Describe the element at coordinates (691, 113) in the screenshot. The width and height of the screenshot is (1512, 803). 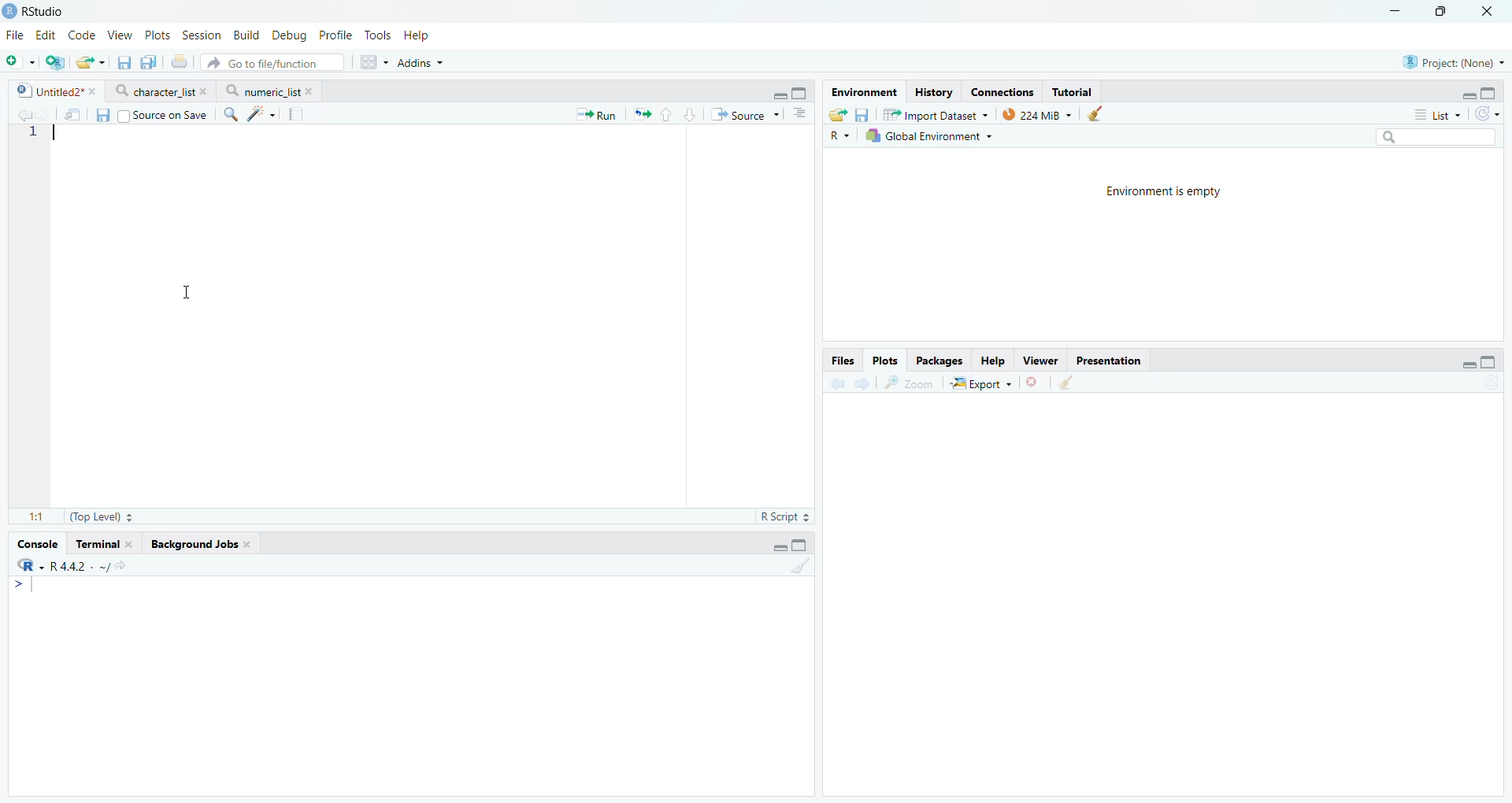
I see `Go to next section` at that location.